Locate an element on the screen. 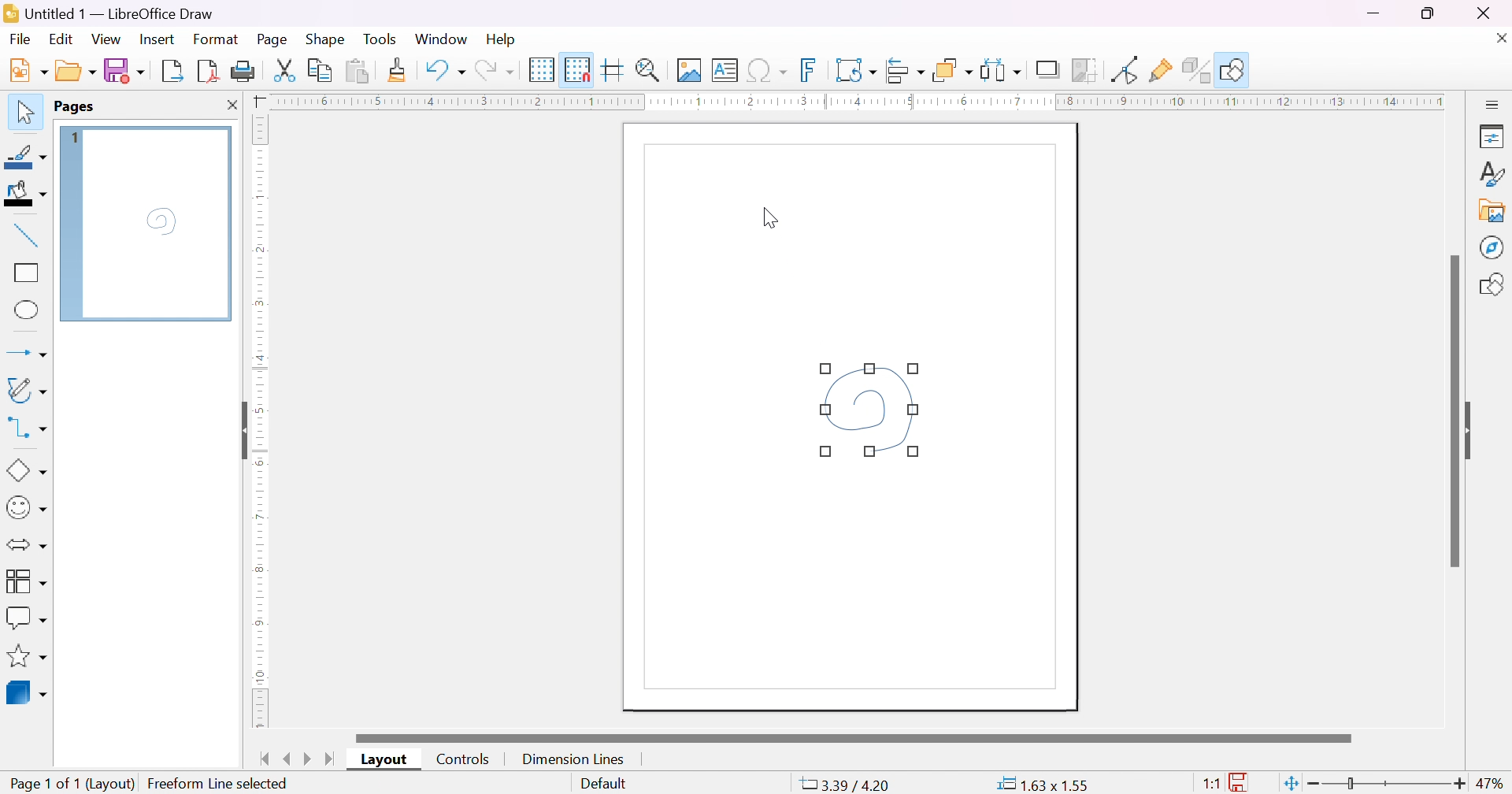  insert special characters is located at coordinates (768, 70).